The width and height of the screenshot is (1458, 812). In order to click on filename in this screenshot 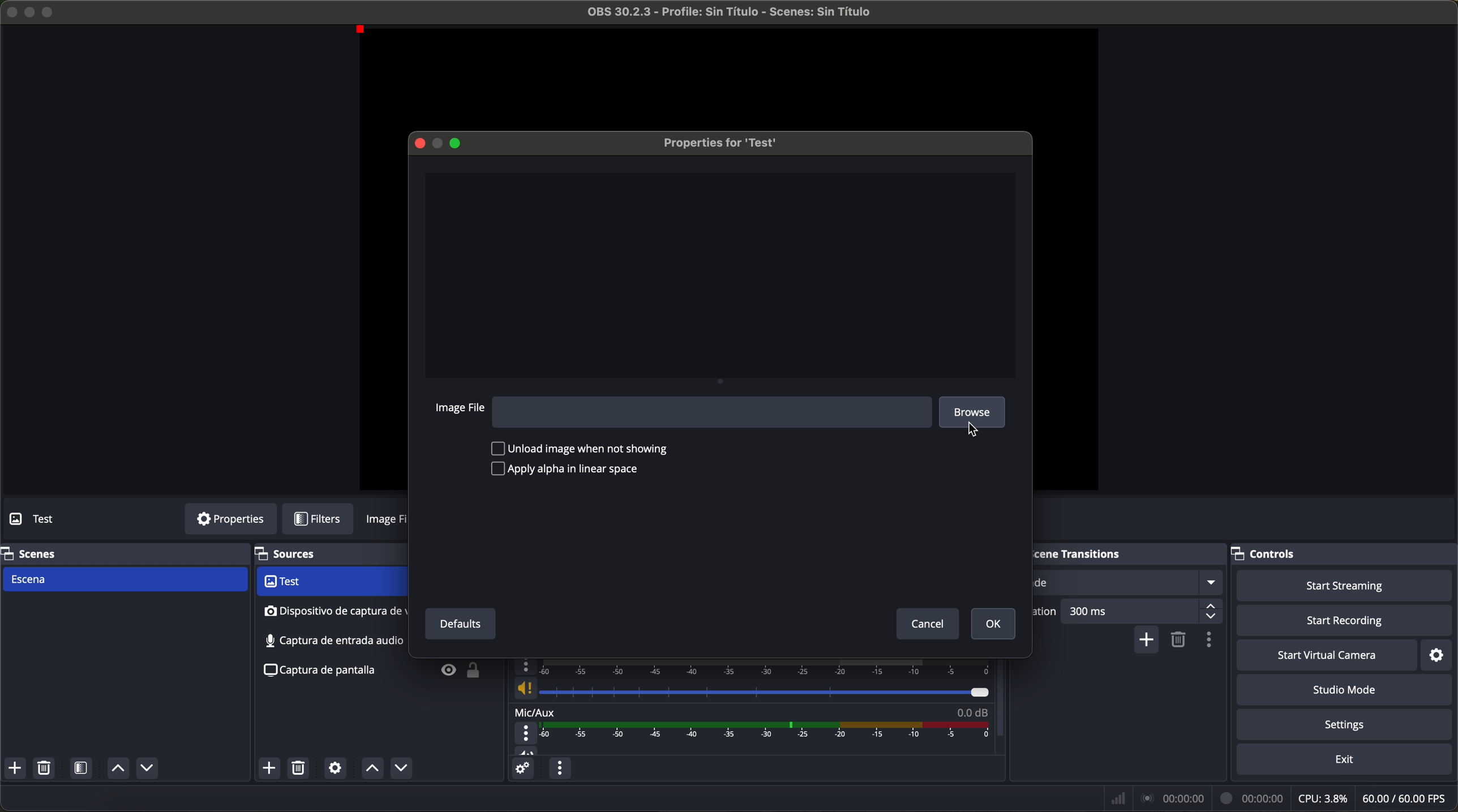, I will do `click(731, 12)`.